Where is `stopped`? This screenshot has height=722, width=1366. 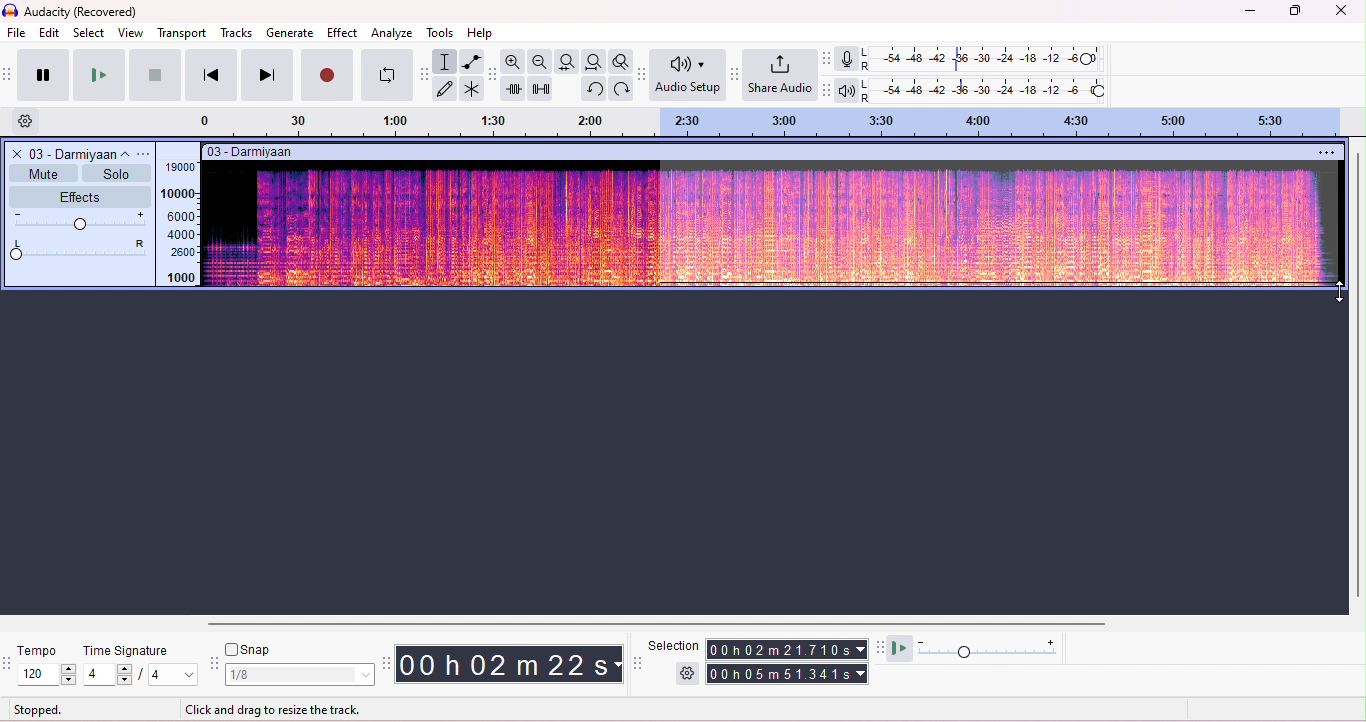 stopped is located at coordinates (40, 709).